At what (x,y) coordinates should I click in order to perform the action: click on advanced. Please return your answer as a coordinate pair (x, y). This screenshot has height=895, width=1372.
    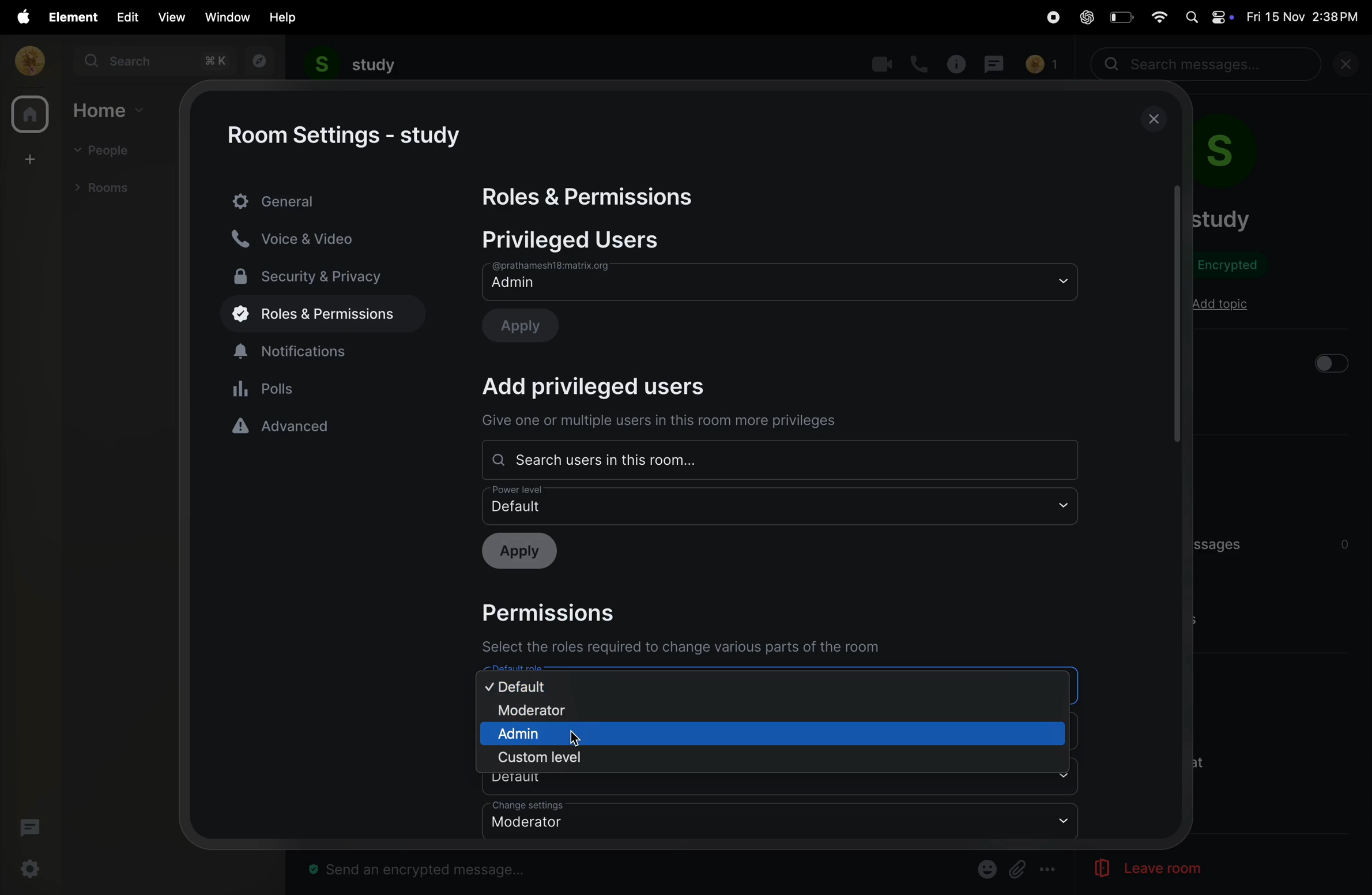
    Looking at the image, I should click on (323, 426).